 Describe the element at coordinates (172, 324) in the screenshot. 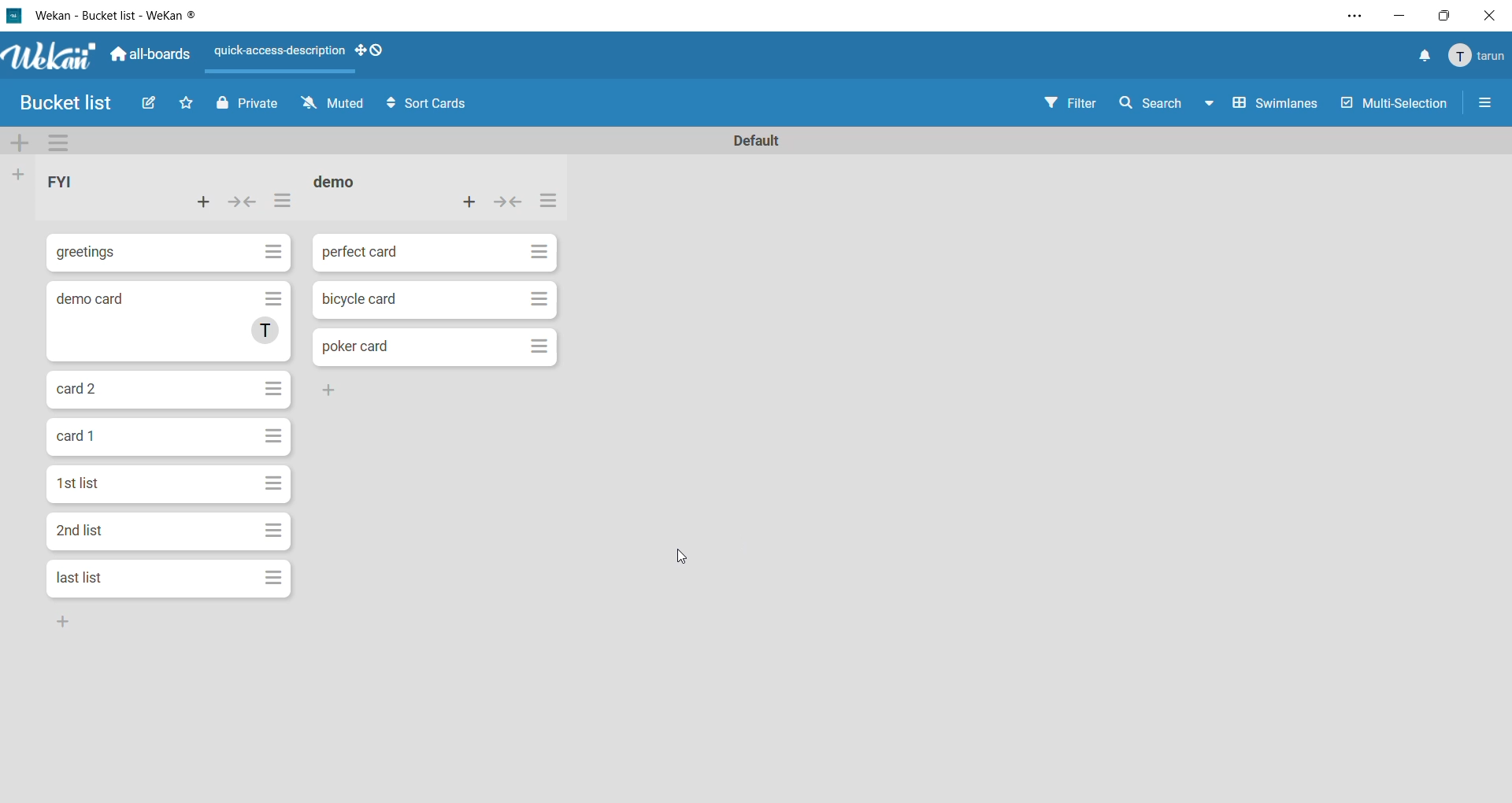

I see `demo card` at that location.